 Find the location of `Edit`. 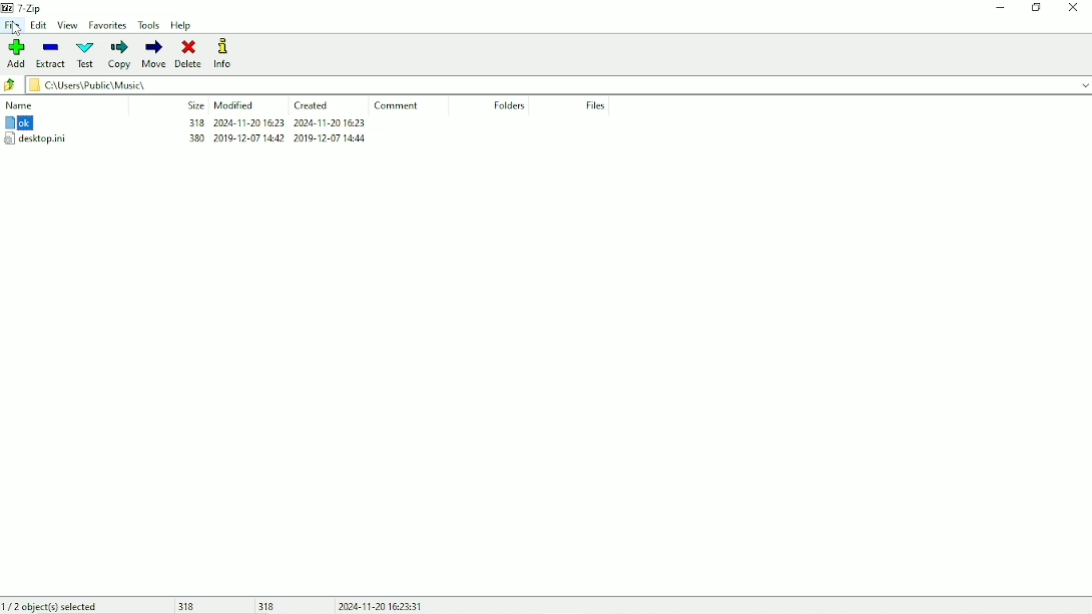

Edit is located at coordinates (38, 26).